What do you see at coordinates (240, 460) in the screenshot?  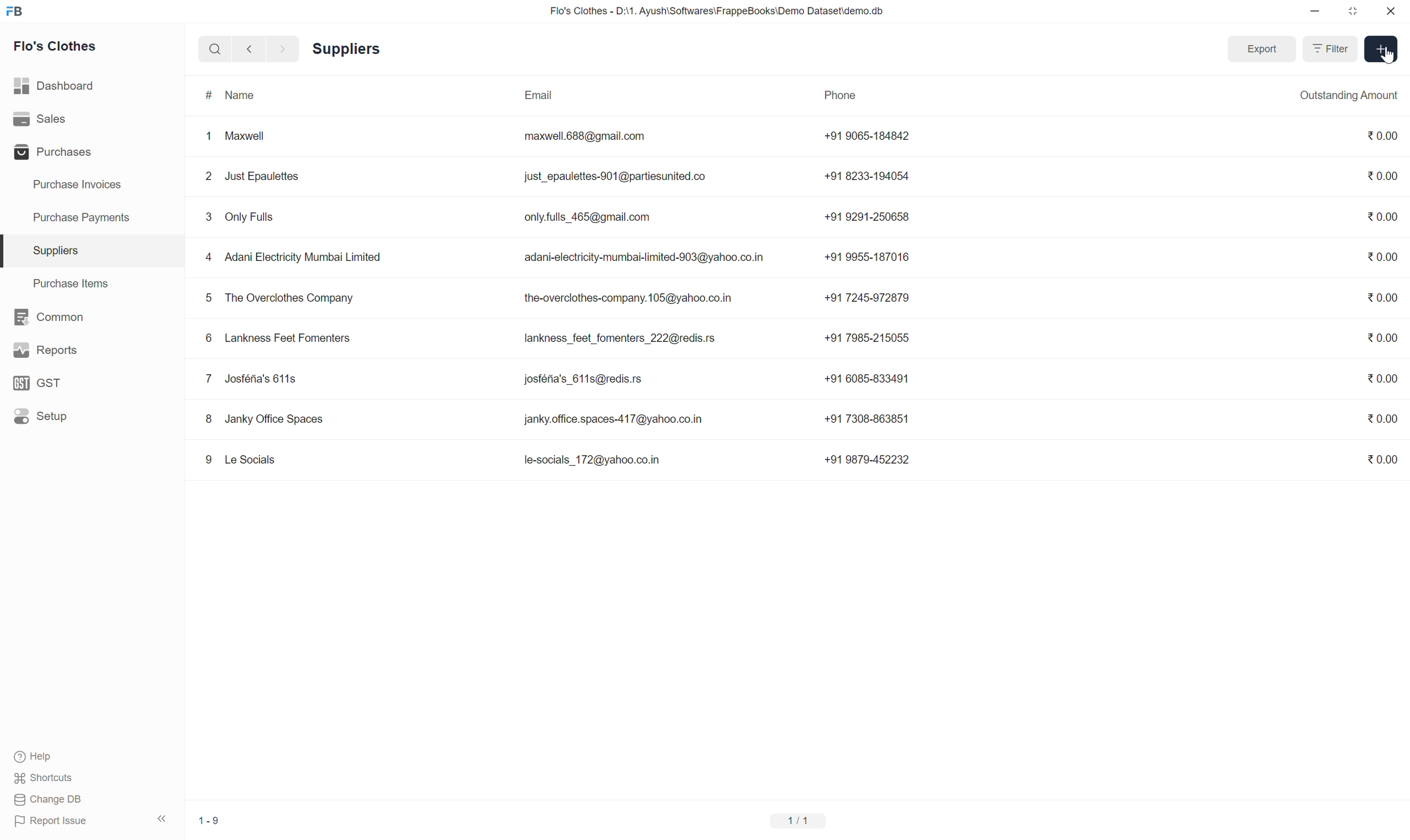 I see `9 Le Socials` at bounding box center [240, 460].